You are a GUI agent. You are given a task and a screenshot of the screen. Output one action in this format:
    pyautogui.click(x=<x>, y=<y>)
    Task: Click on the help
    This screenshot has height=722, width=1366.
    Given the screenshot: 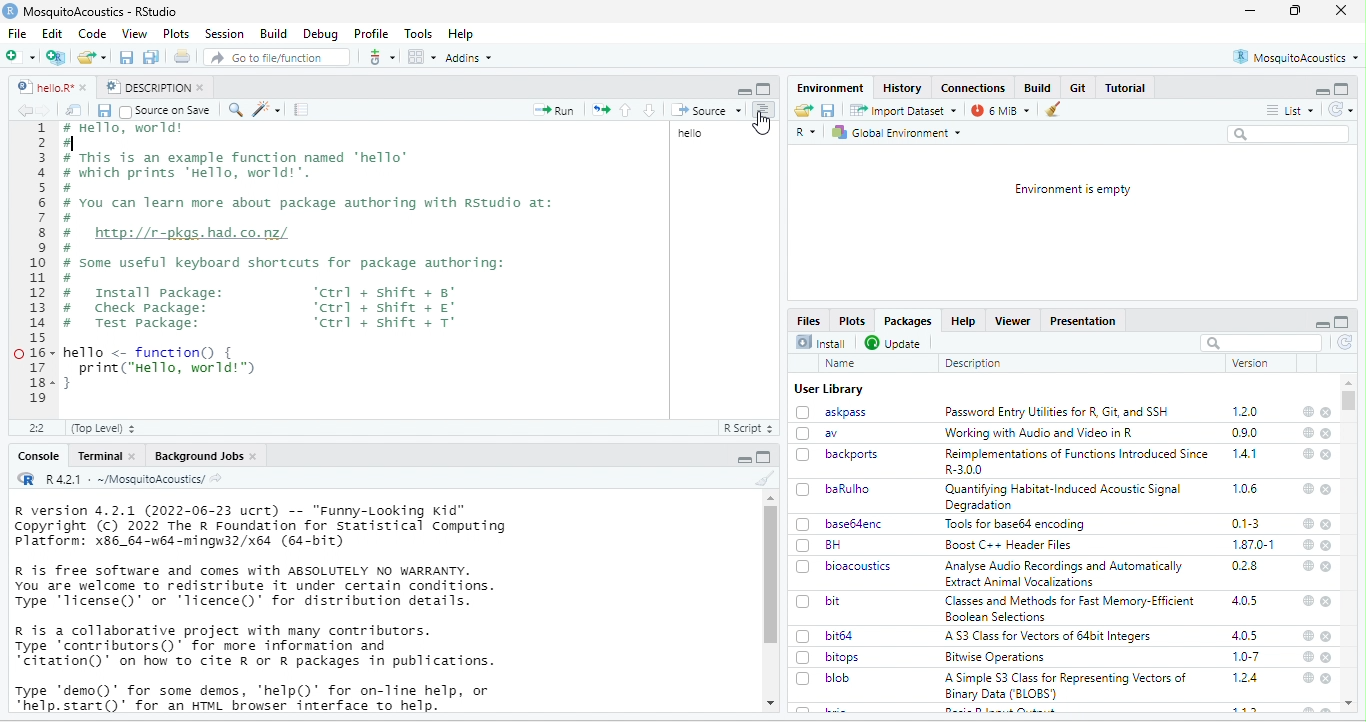 What is the action you would take?
    pyautogui.click(x=1308, y=565)
    